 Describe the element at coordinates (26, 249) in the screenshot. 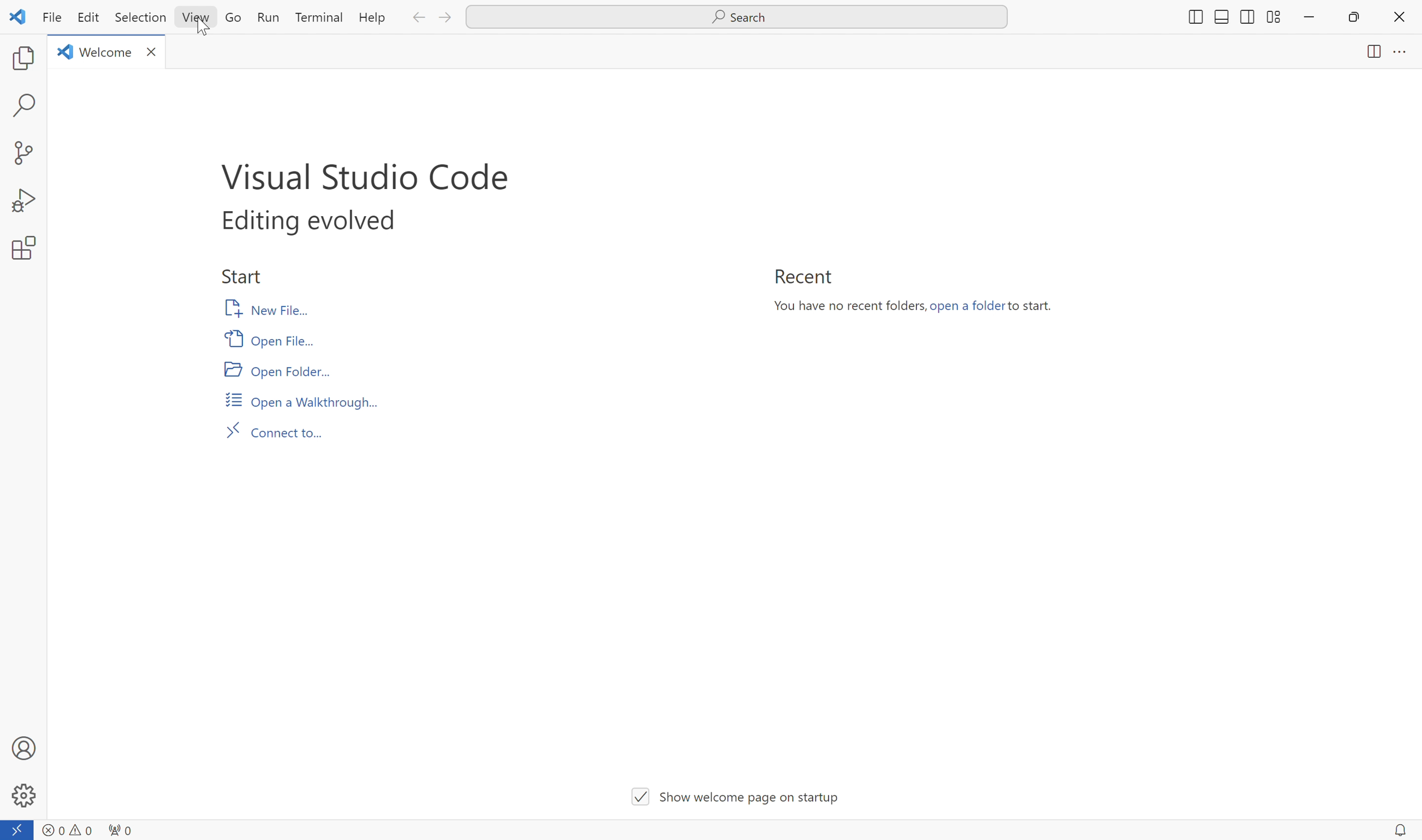

I see `settings` at that location.